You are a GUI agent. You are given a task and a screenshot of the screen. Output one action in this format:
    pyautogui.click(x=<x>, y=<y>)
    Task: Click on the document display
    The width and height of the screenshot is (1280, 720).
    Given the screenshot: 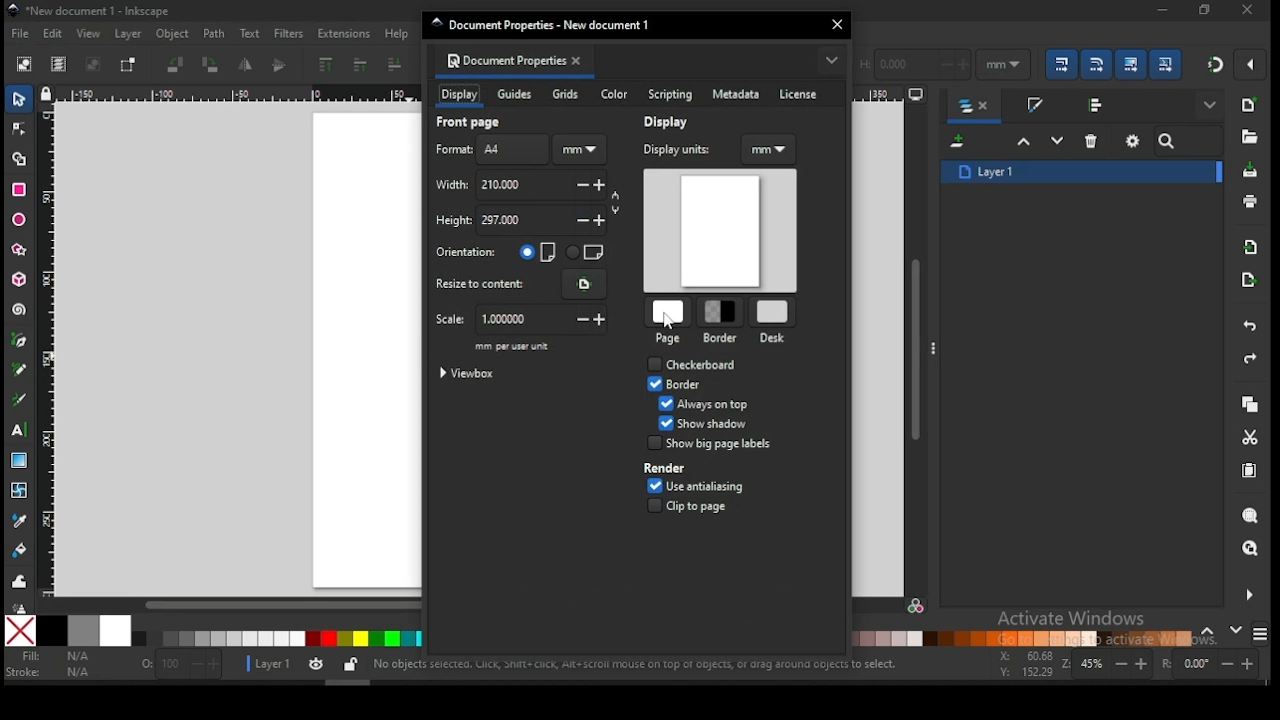 What is the action you would take?
    pyautogui.click(x=721, y=232)
    